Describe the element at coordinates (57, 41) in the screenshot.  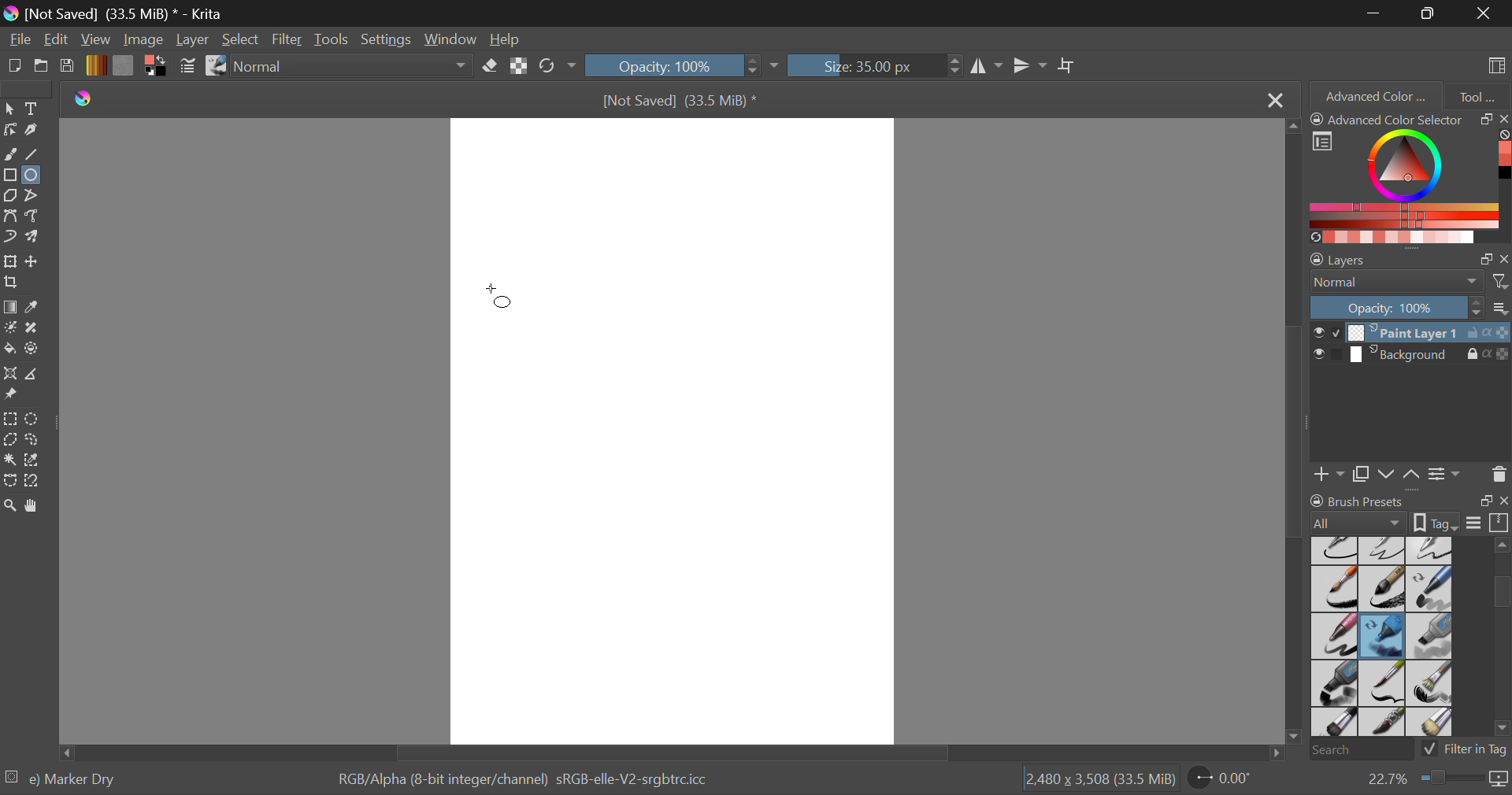
I see `` at that location.